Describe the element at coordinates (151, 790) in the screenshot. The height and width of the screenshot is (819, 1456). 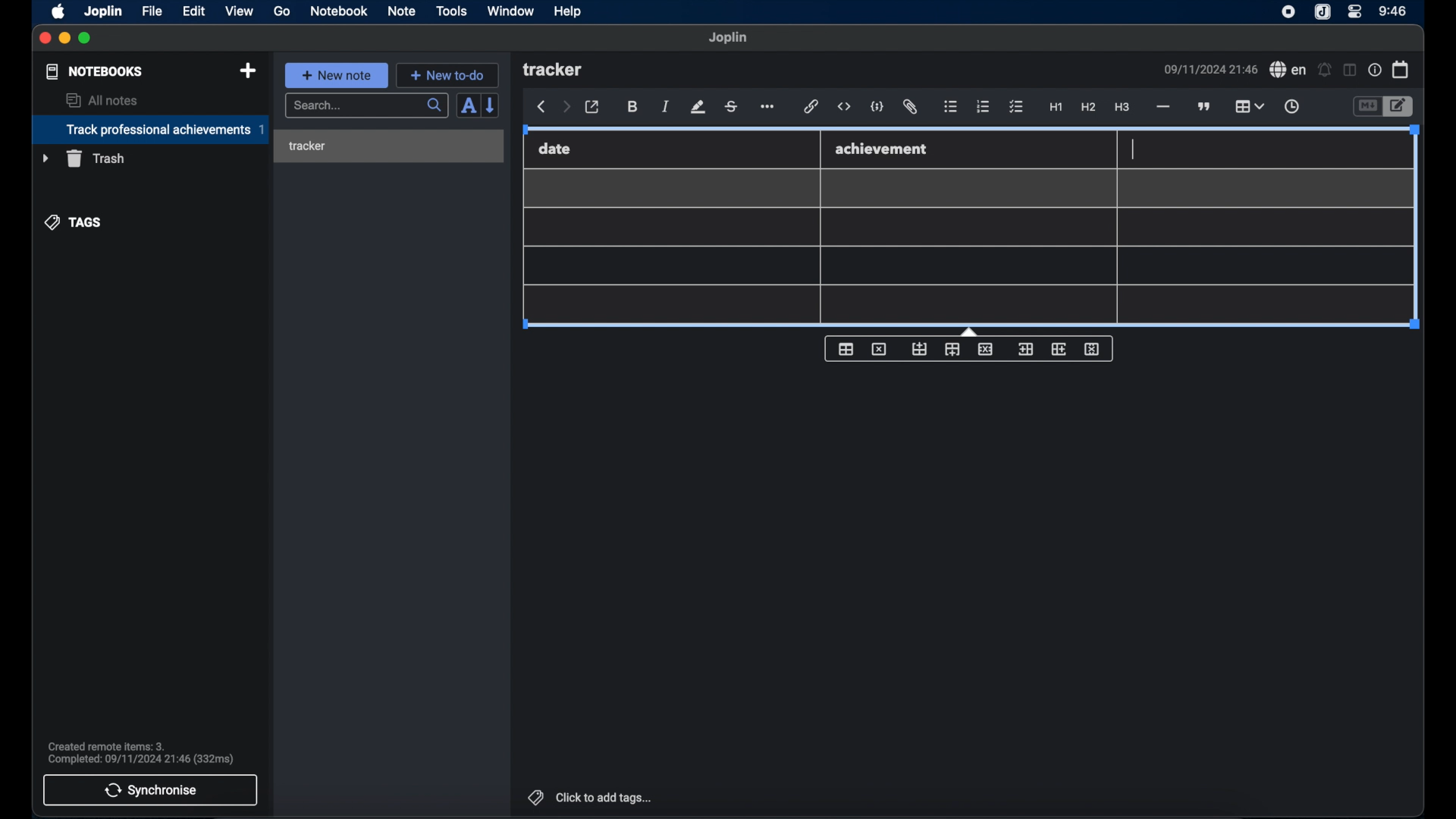
I see `synchronise` at that location.